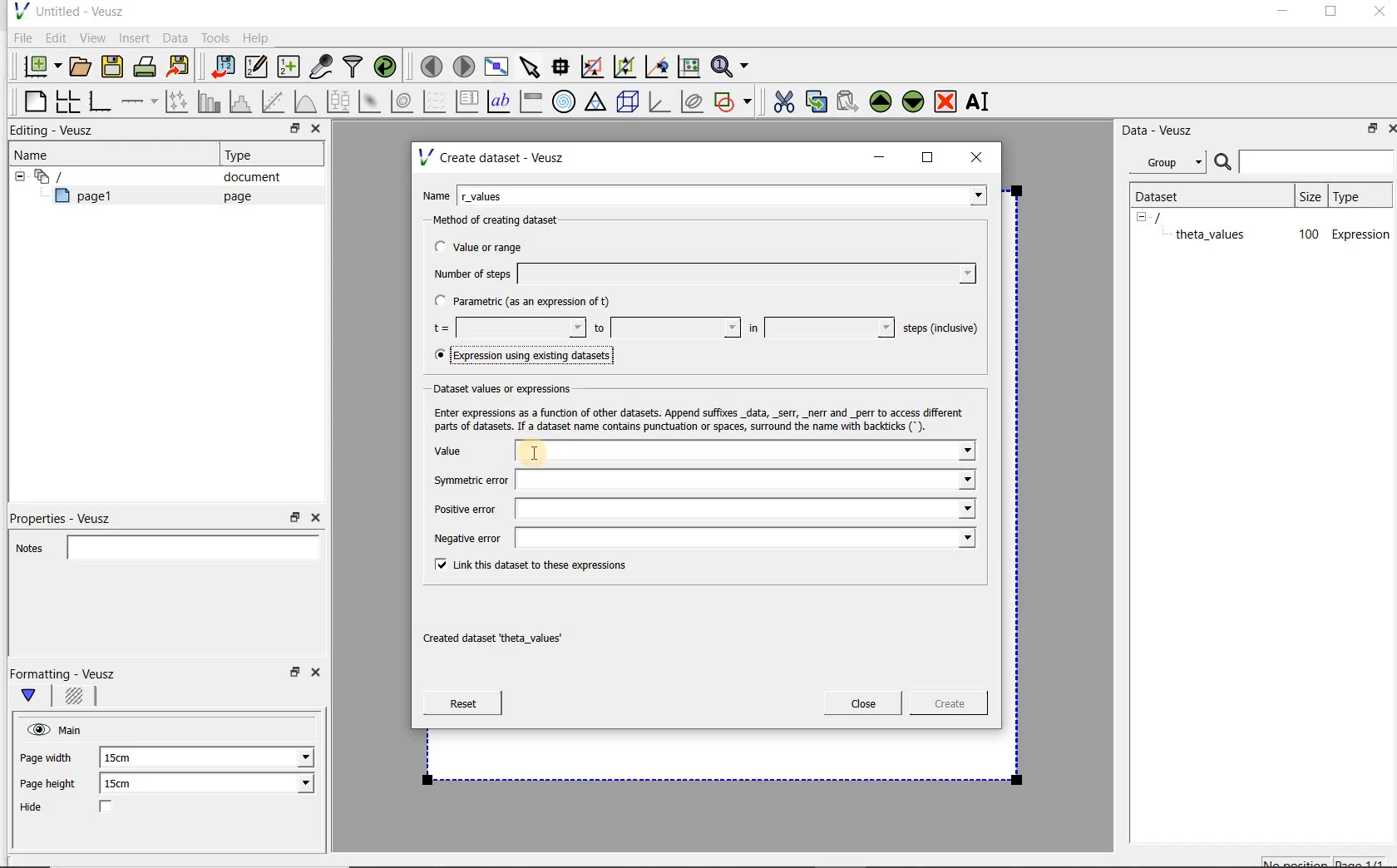 The width and height of the screenshot is (1397, 868). I want to click on Search bar, so click(1305, 160).